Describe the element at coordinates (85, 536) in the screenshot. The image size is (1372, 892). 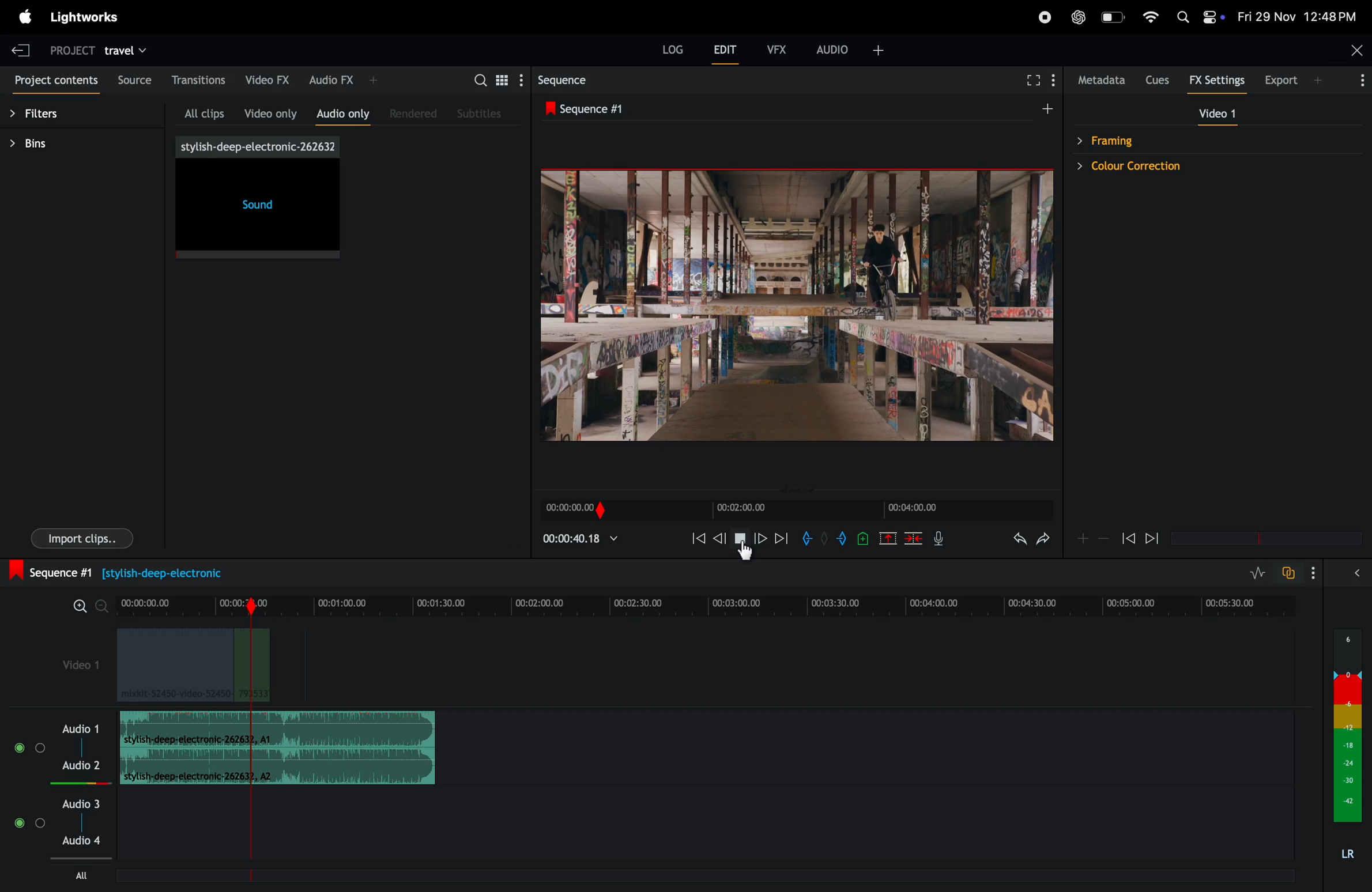
I see `import clips` at that location.